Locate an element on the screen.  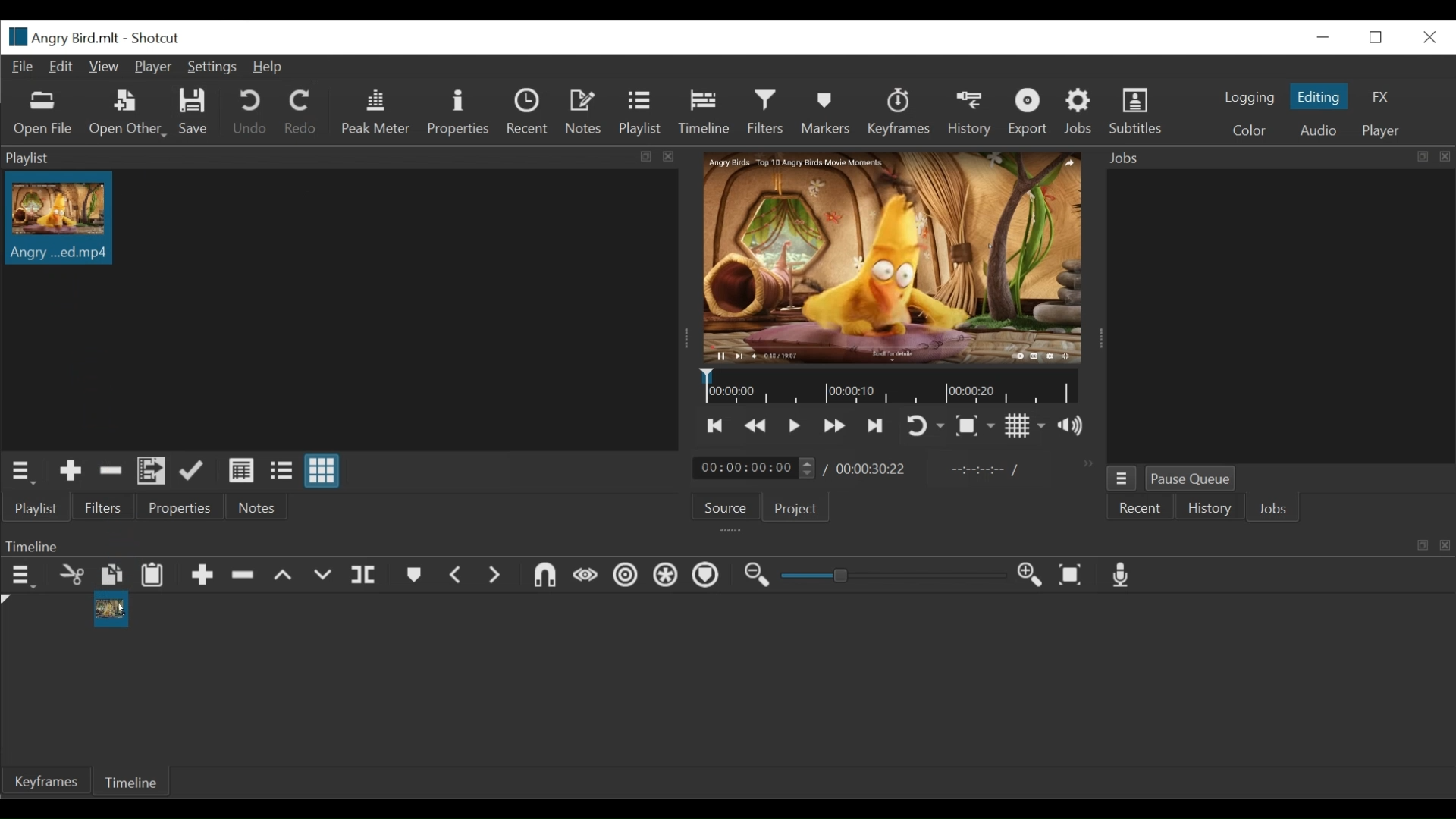
Timeline is located at coordinates (728, 544).